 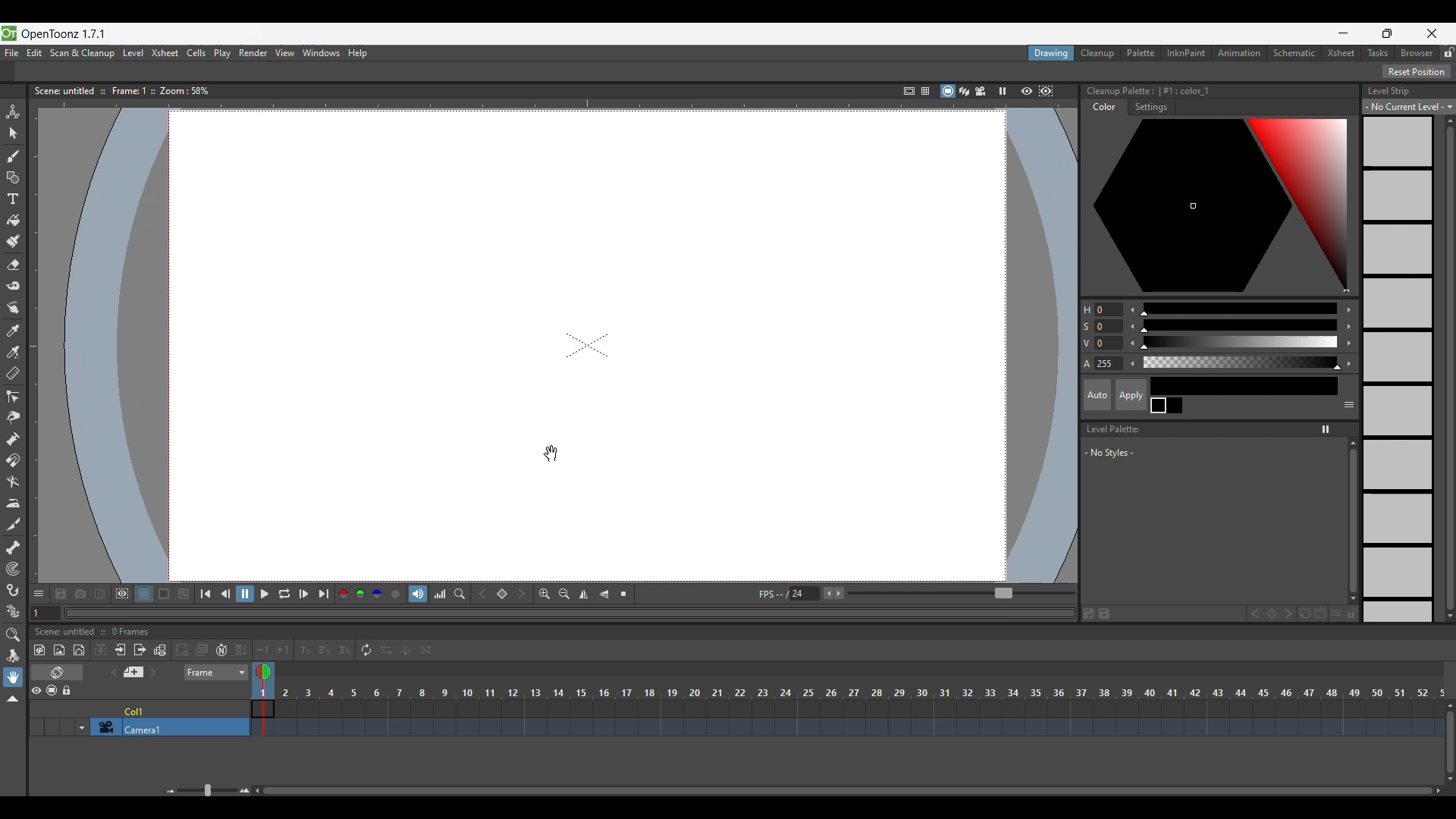 What do you see at coordinates (923, 91) in the screenshot?
I see `=§-1` at bounding box center [923, 91].